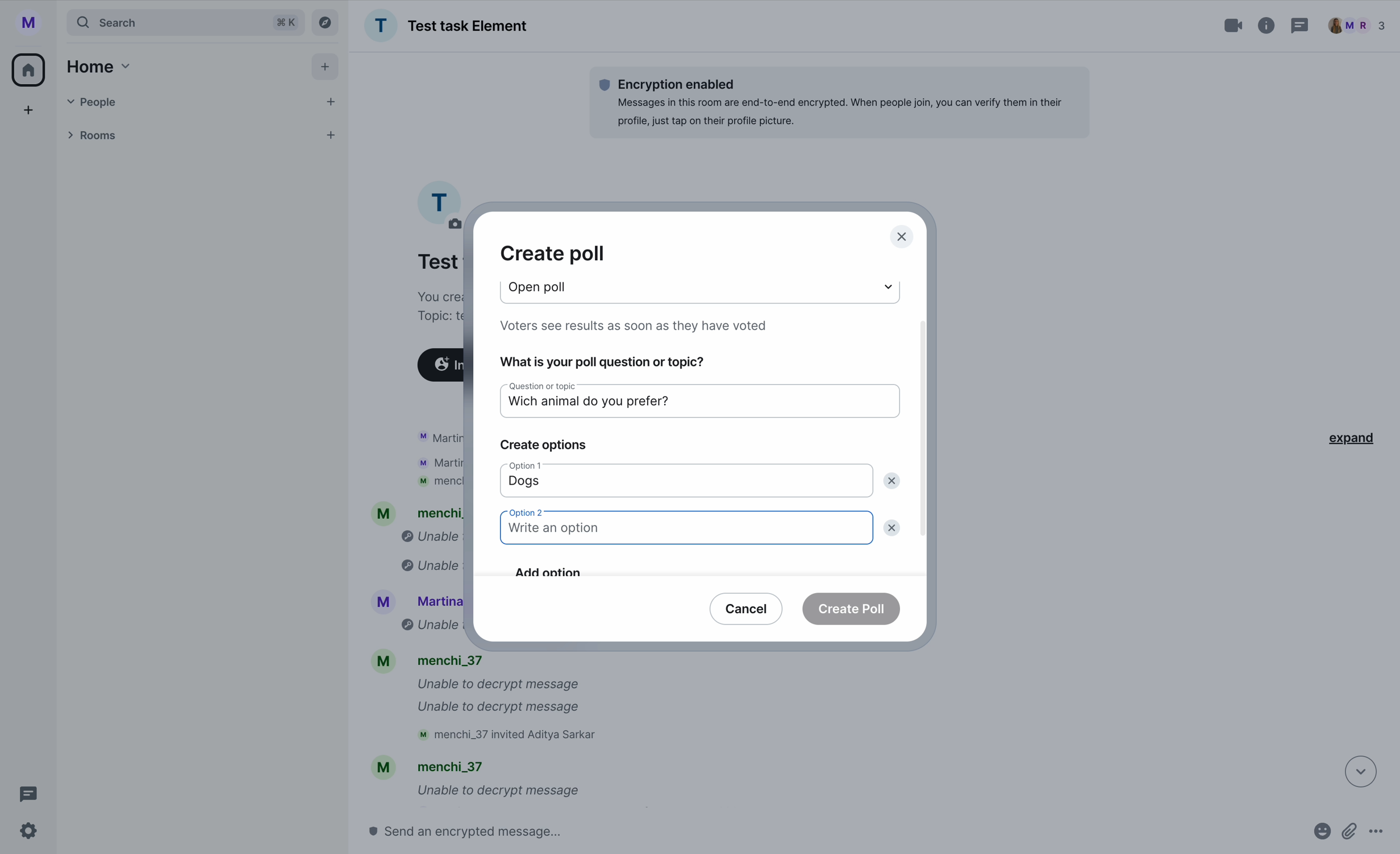  I want to click on what is your poll question or topic?, so click(601, 364).